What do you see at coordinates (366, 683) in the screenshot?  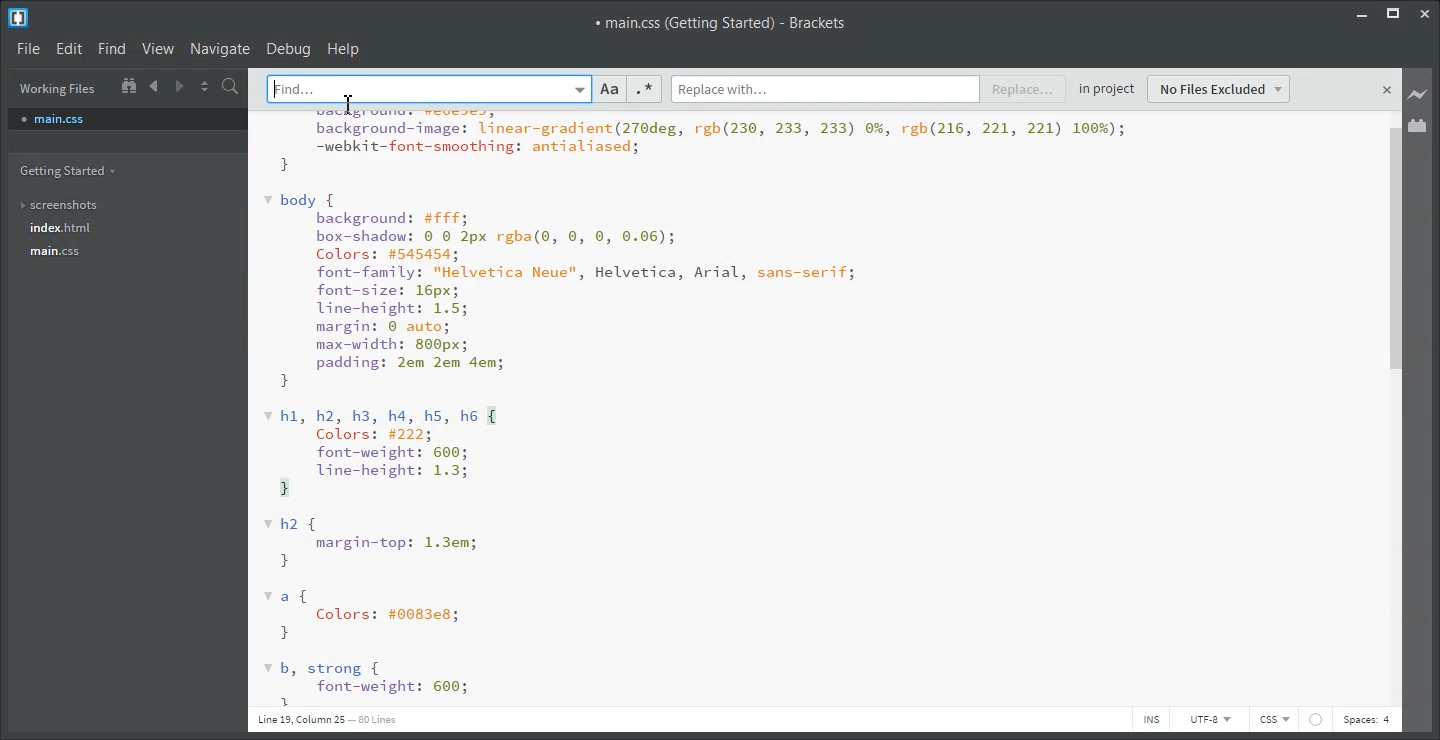 I see `b, strong {font-weight: 600;5}` at bounding box center [366, 683].